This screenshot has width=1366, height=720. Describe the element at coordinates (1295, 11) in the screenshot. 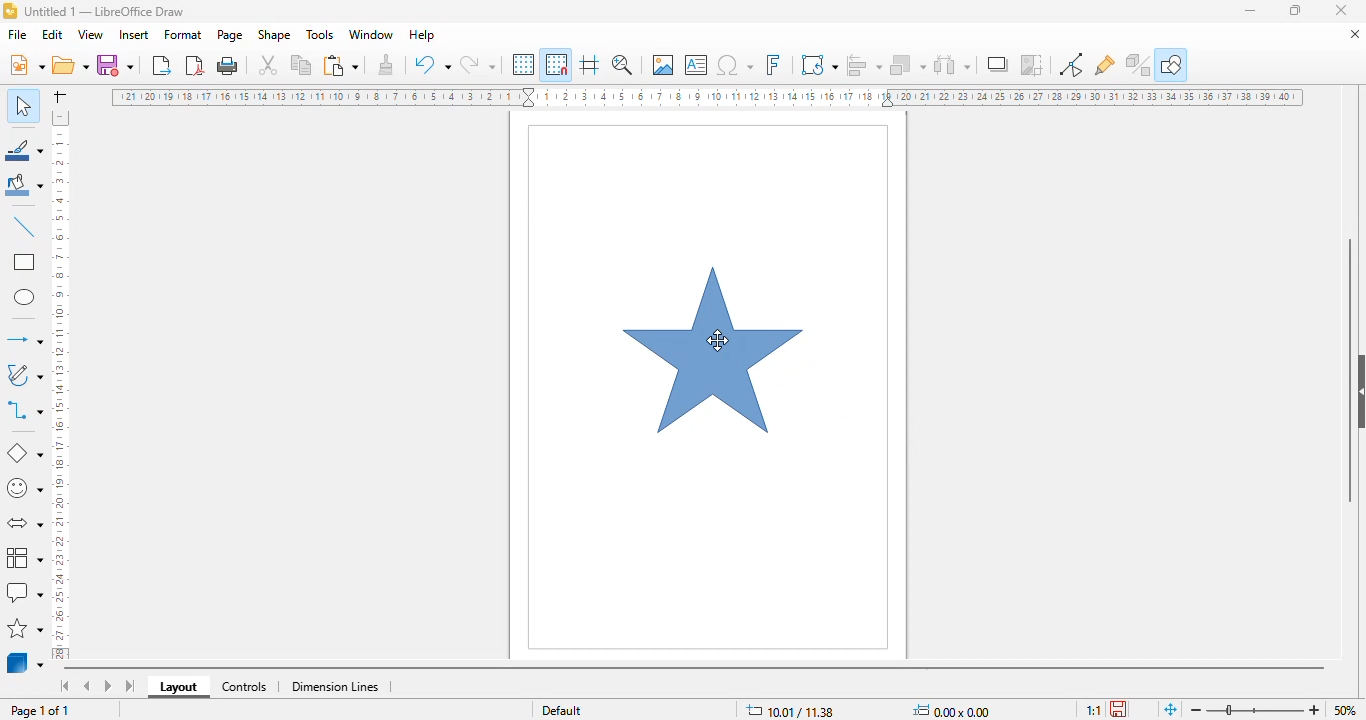

I see `maximize` at that location.